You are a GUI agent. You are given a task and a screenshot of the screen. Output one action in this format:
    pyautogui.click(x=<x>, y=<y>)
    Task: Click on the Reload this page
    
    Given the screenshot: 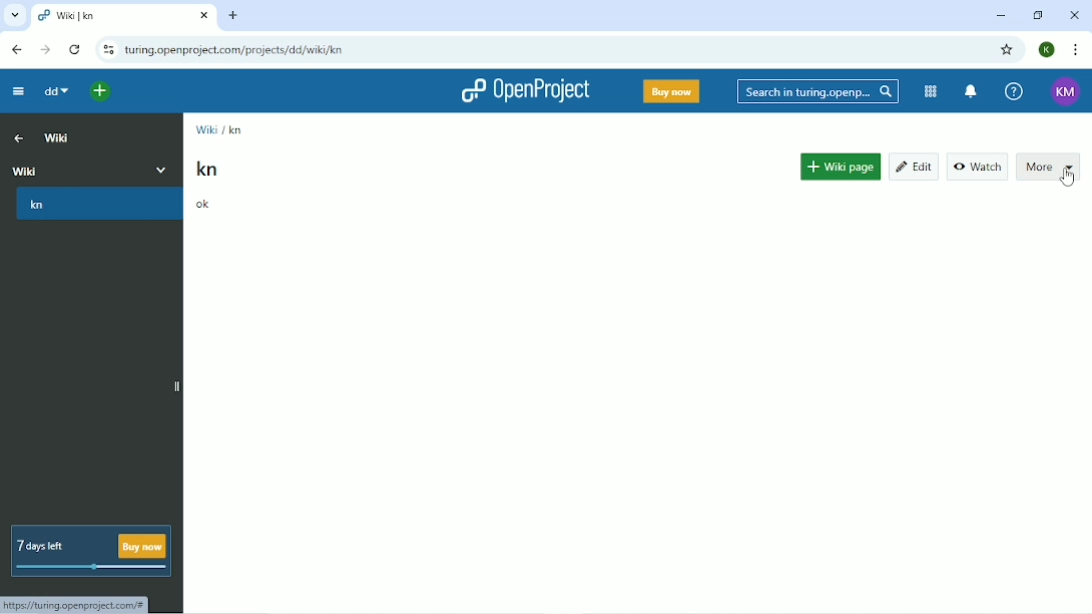 What is the action you would take?
    pyautogui.click(x=73, y=49)
    